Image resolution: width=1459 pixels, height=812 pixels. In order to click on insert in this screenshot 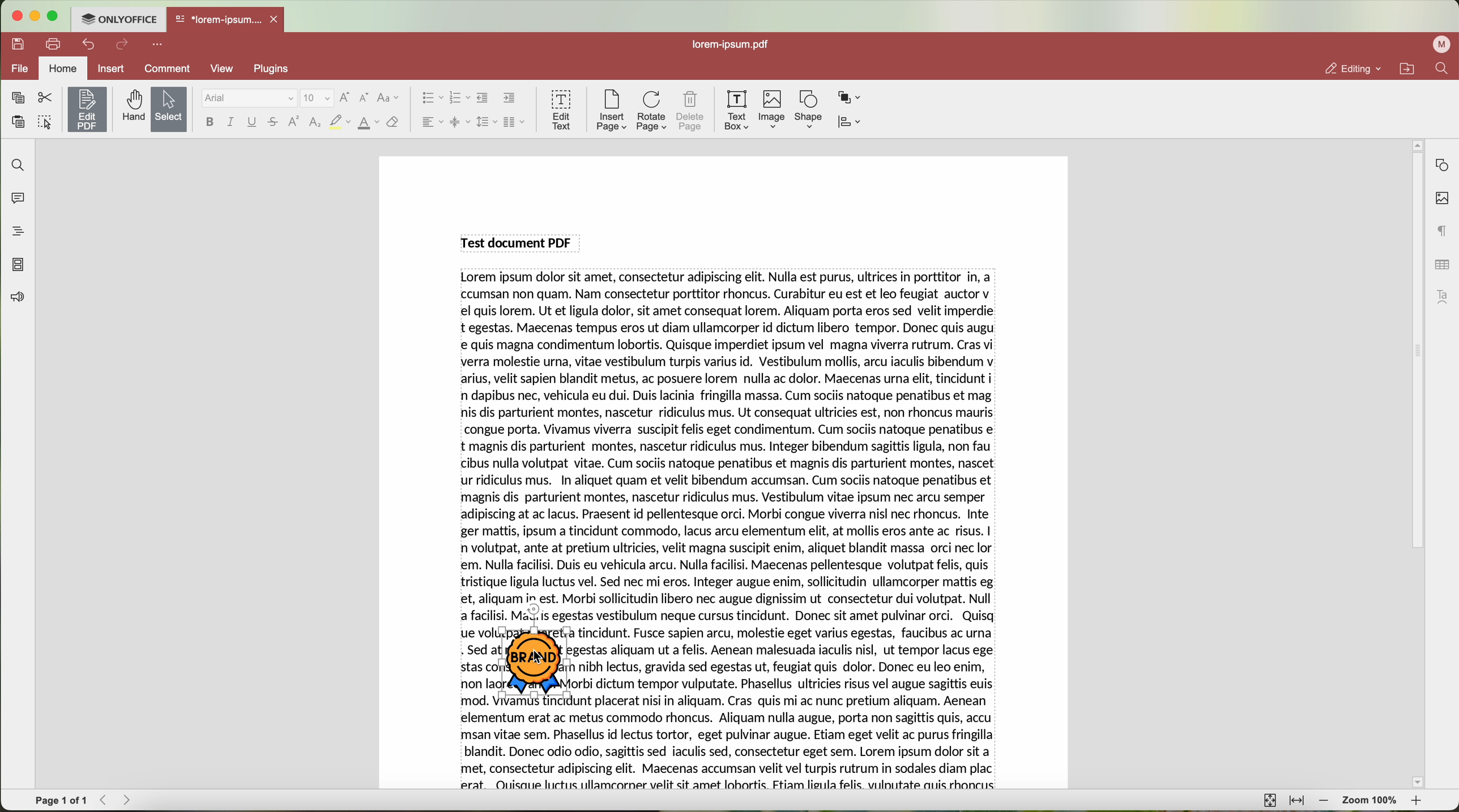, I will do `click(110, 68)`.